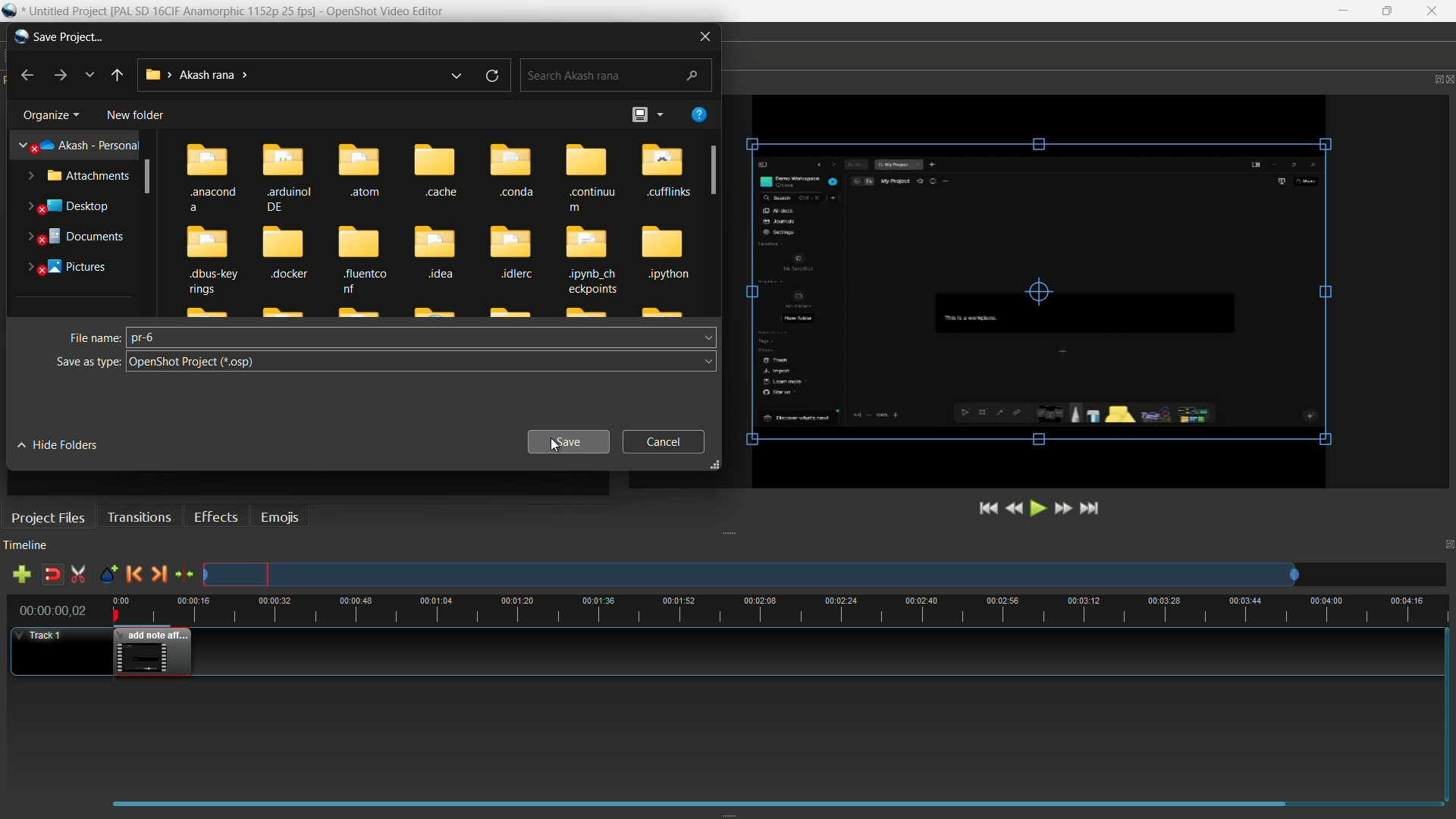 The height and width of the screenshot is (819, 1456). What do you see at coordinates (665, 176) in the screenshot?
I see `cufflinks` at bounding box center [665, 176].